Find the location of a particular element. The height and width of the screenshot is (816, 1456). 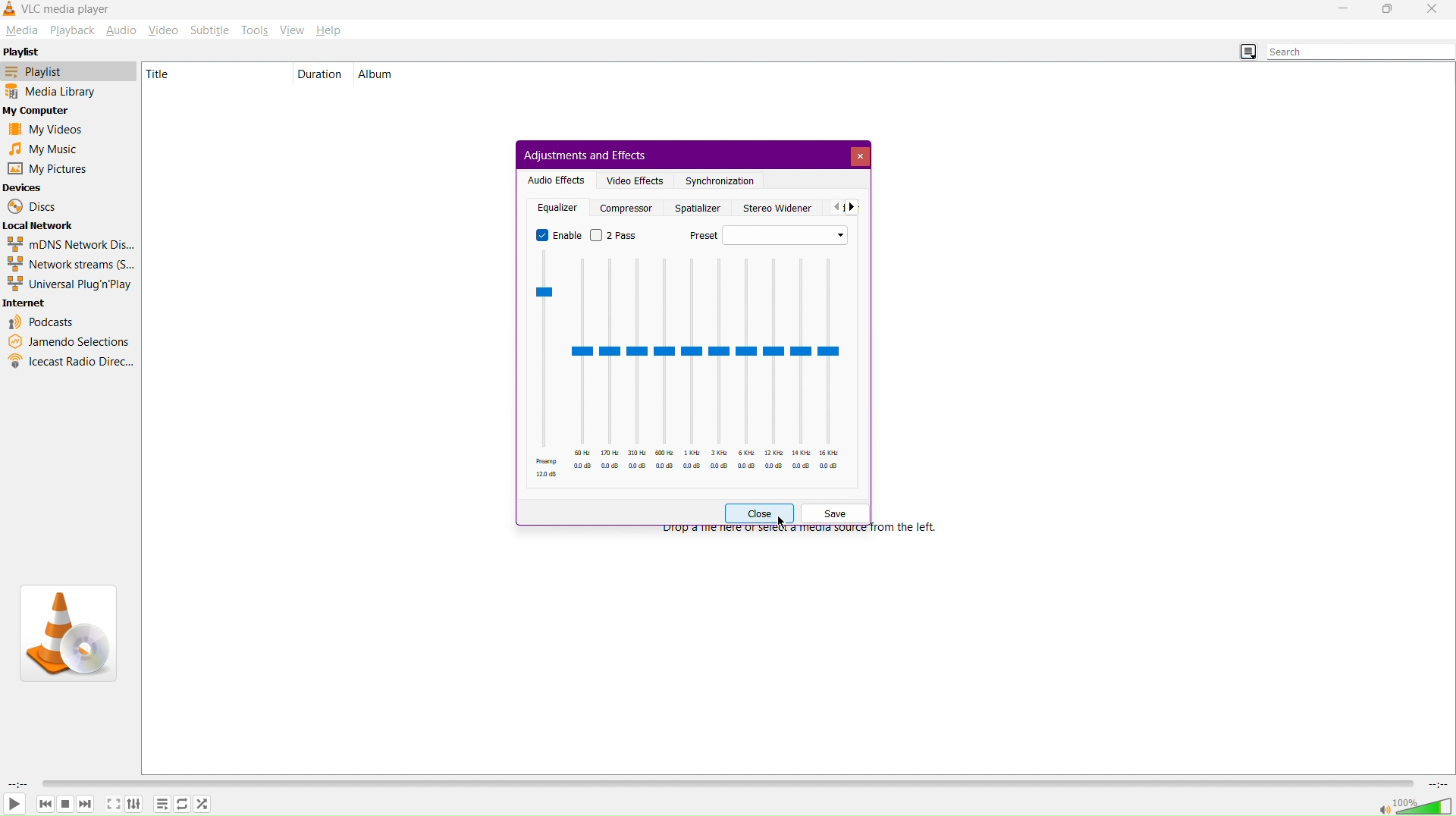

12 KHz is located at coordinates (772, 364).